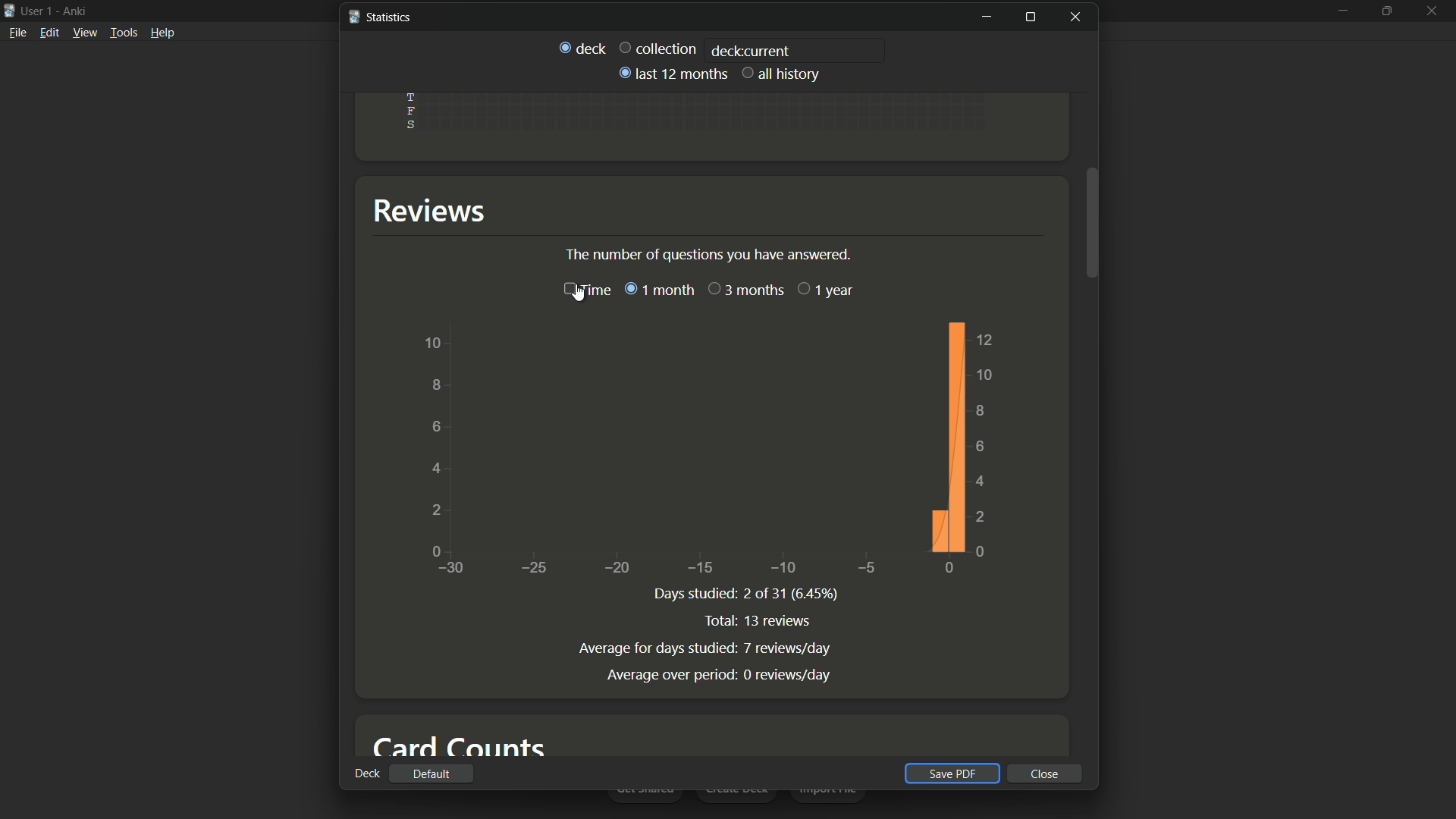  What do you see at coordinates (692, 594) in the screenshot?
I see `days studied` at bounding box center [692, 594].